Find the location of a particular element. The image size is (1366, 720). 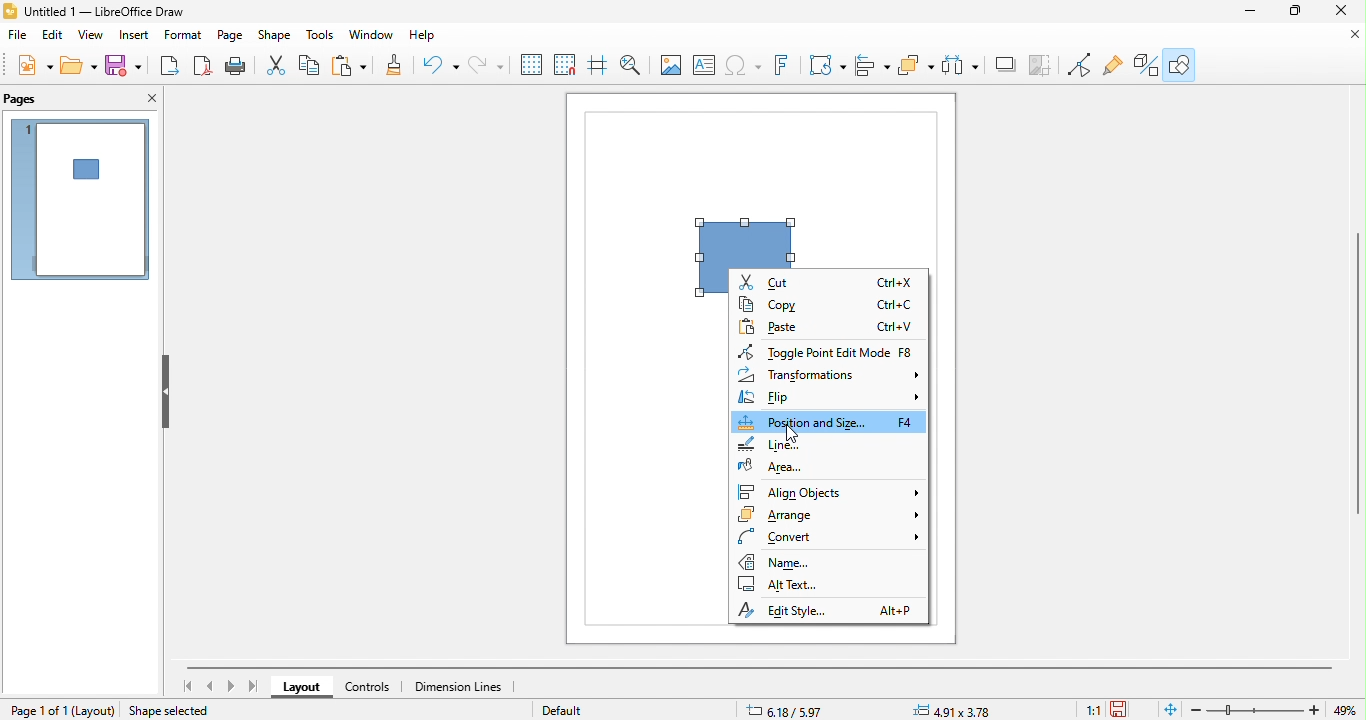

snap to grid is located at coordinates (569, 66).